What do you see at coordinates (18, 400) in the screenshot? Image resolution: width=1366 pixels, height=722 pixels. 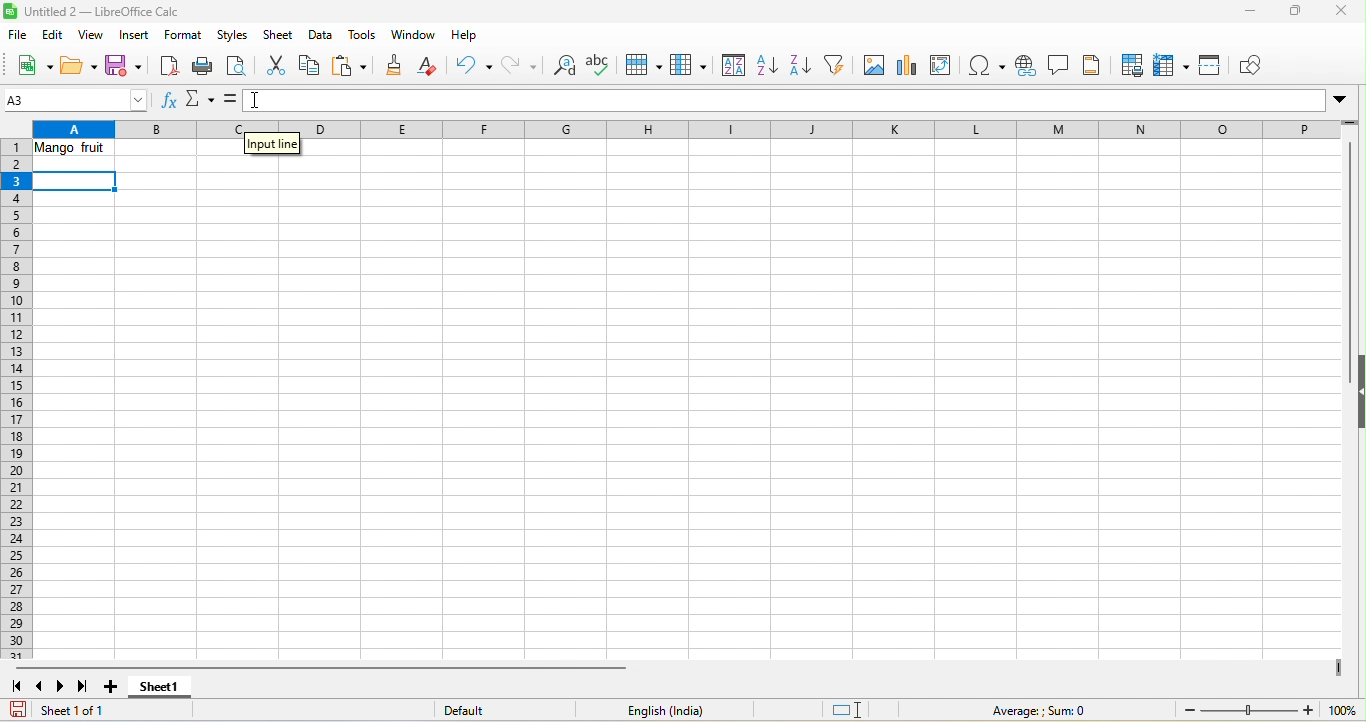 I see `rows` at bounding box center [18, 400].